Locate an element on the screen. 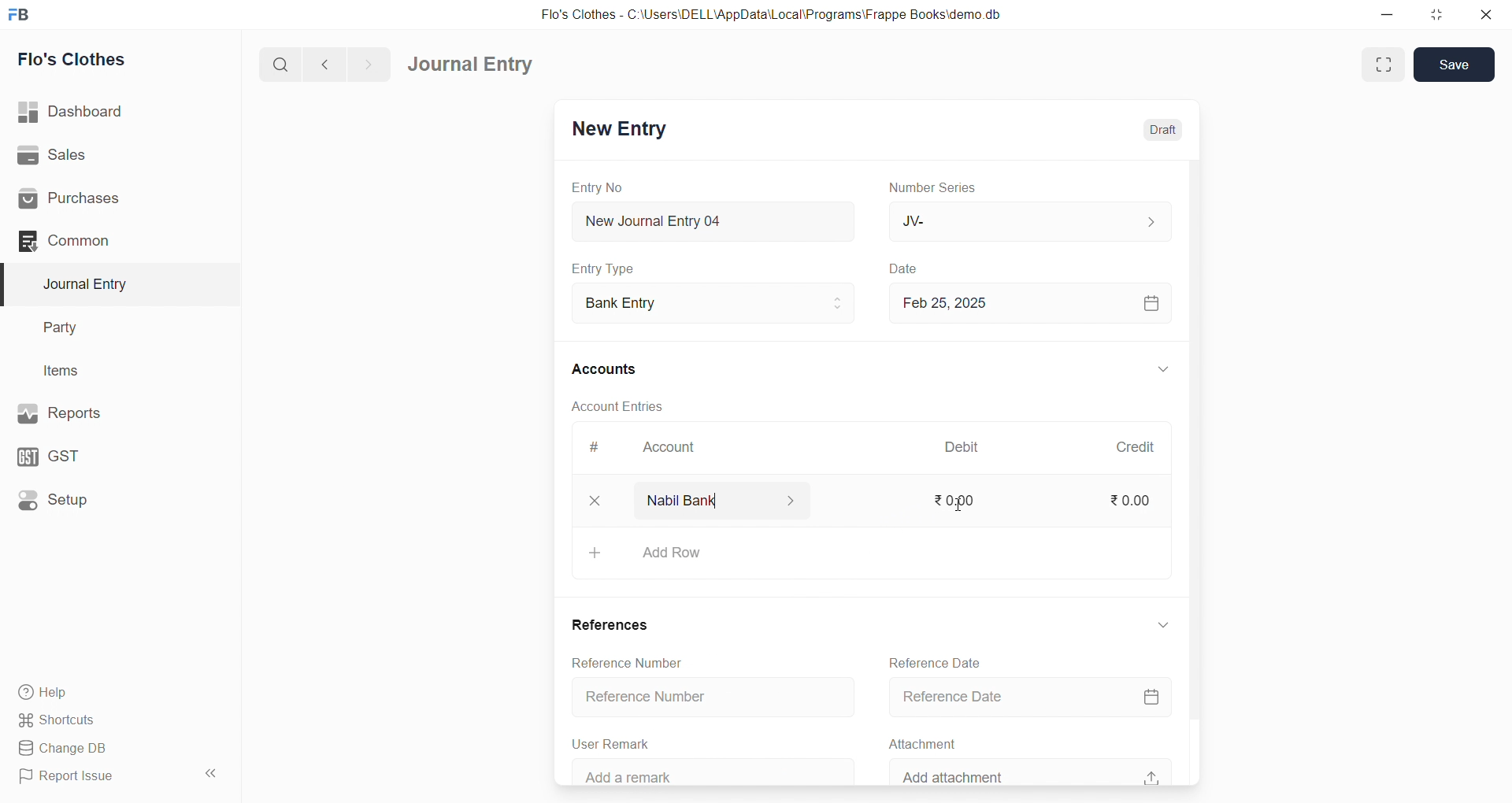 The width and height of the screenshot is (1512, 803). Dashboard is located at coordinates (116, 112).